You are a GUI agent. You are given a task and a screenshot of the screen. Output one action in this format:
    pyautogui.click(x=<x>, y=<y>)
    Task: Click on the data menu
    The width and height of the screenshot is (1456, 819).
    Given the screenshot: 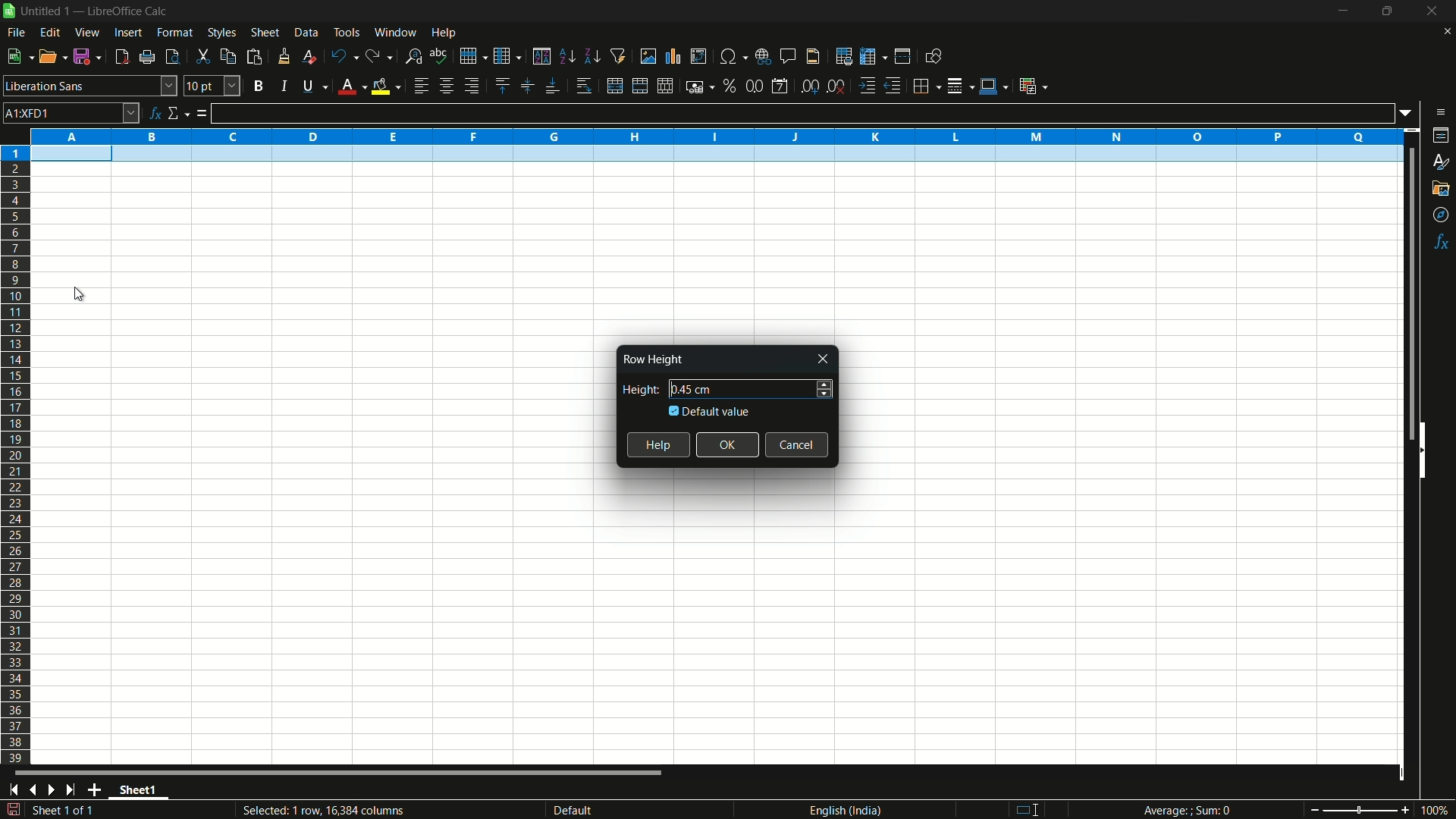 What is the action you would take?
    pyautogui.click(x=306, y=33)
    